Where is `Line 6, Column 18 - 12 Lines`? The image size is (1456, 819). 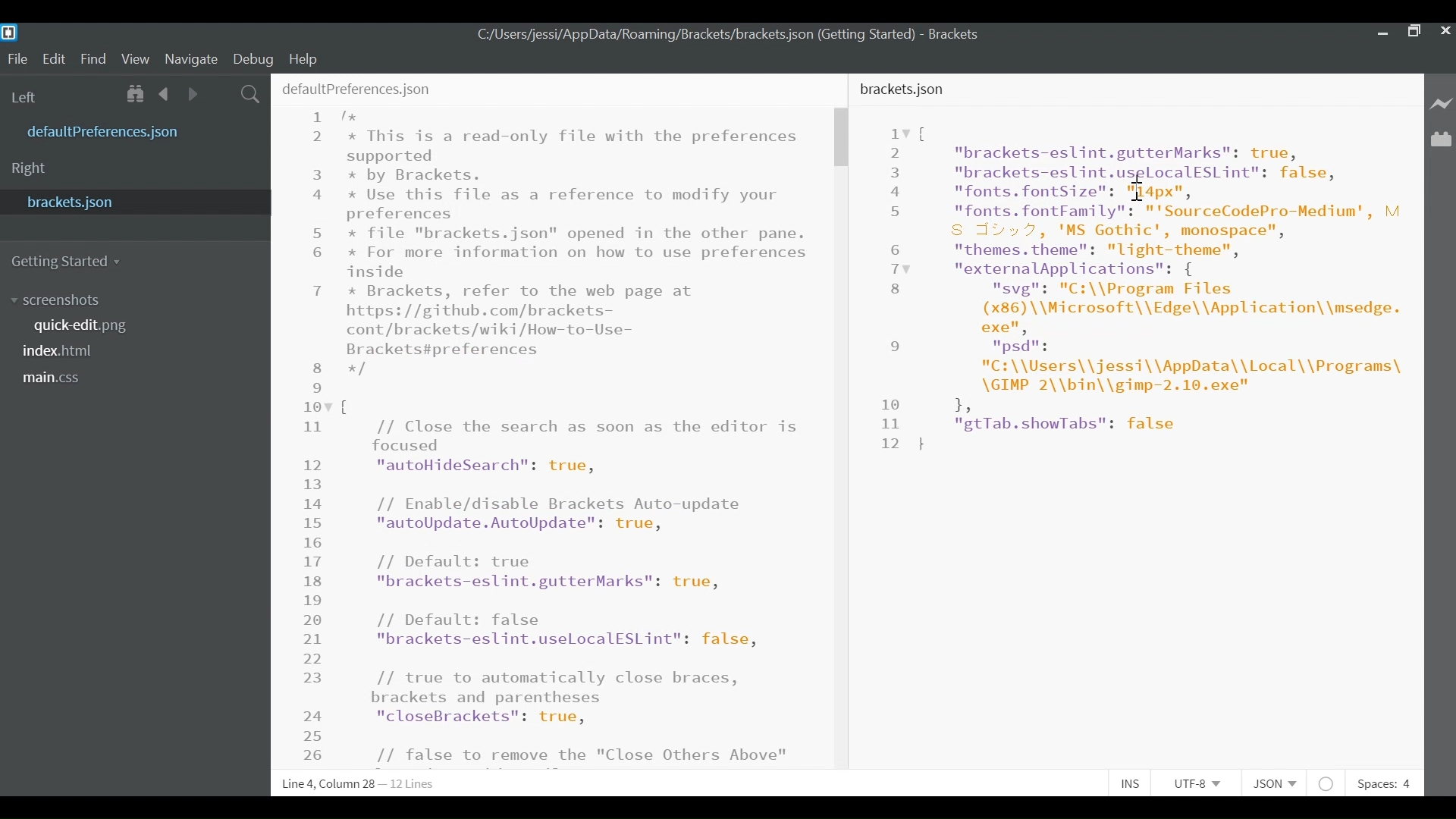 Line 6, Column 18 - 12 Lines is located at coordinates (361, 784).